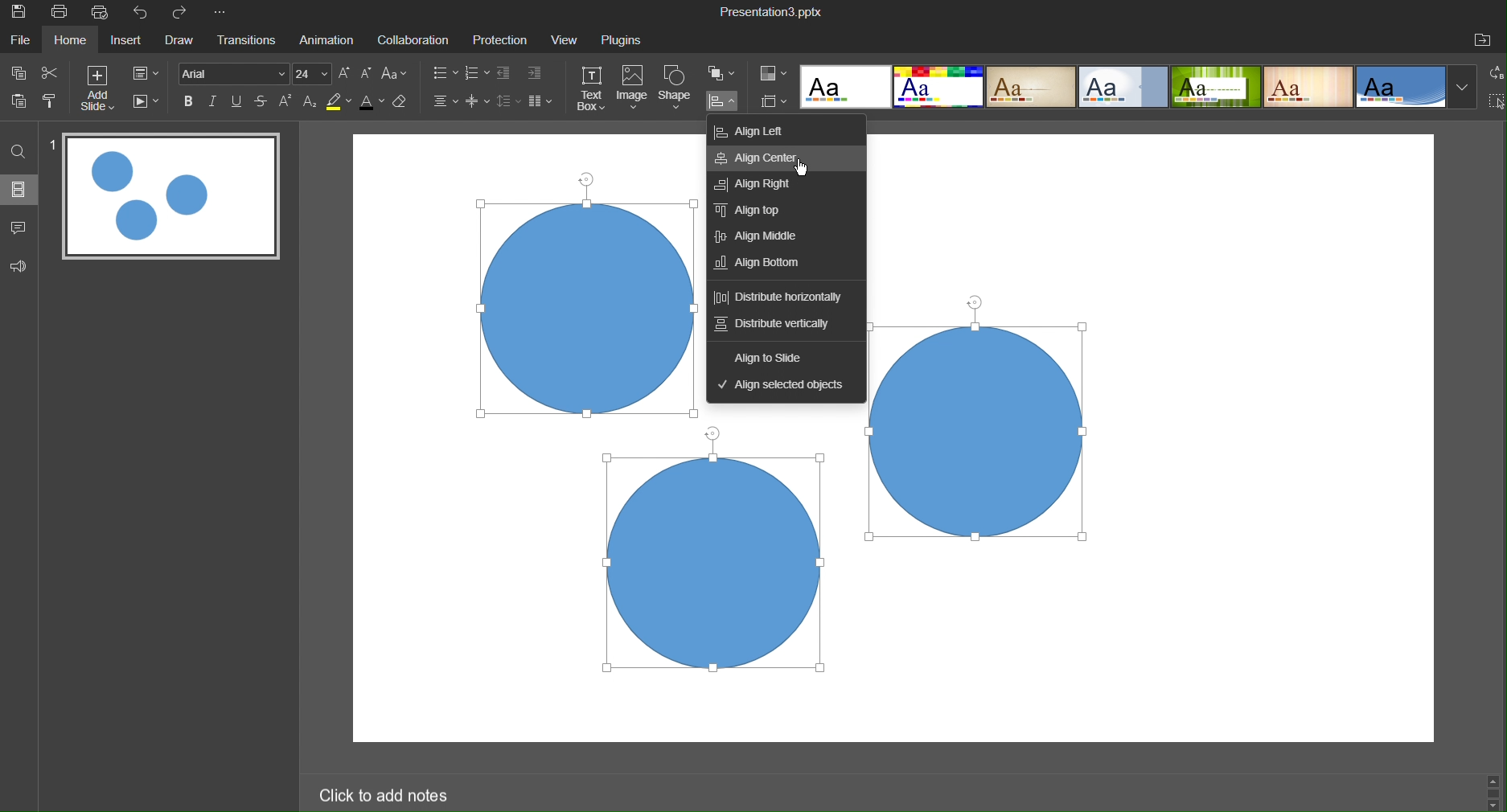  Describe the element at coordinates (63, 13) in the screenshot. I see `Print` at that location.